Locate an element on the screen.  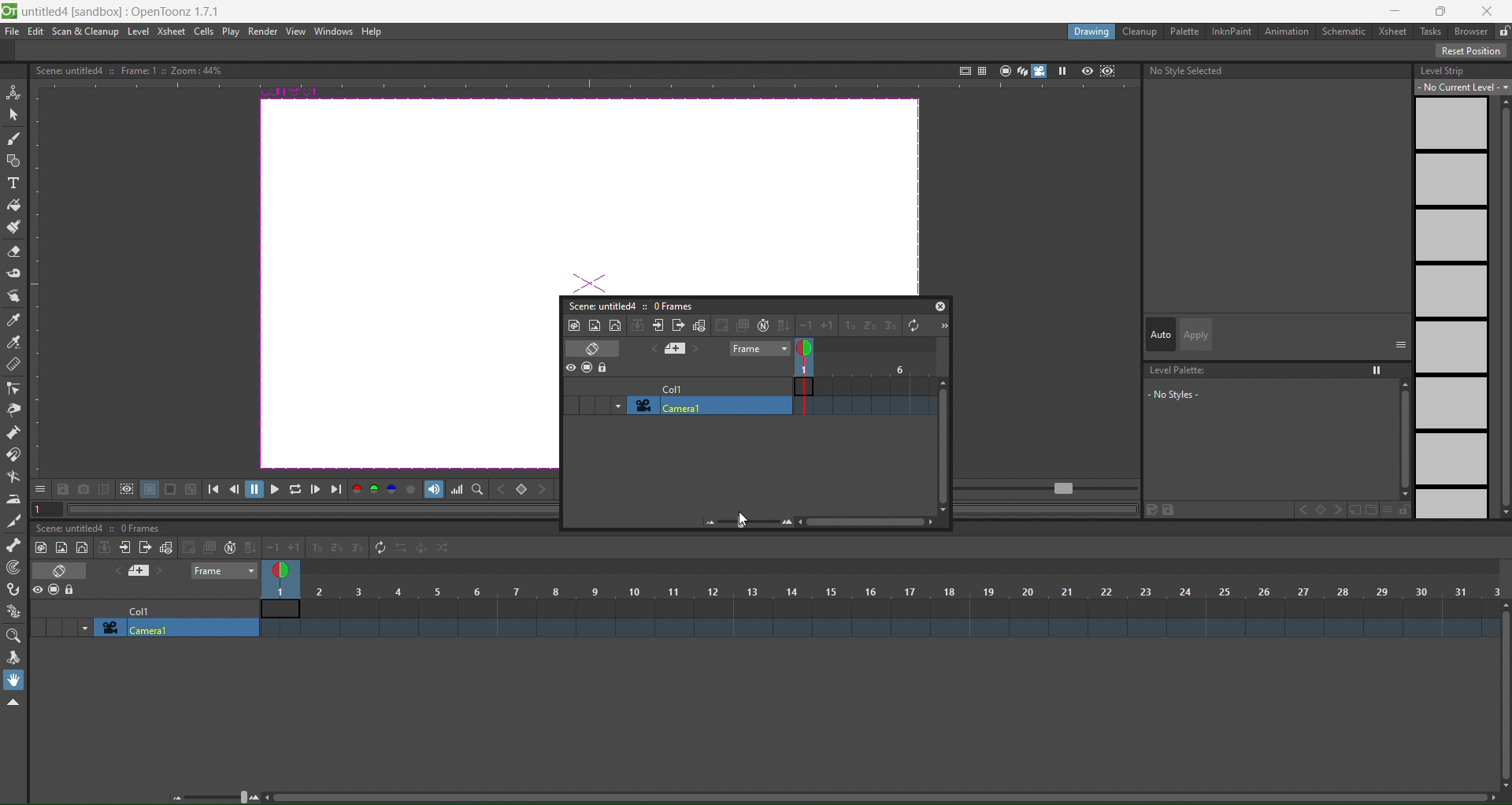
close is located at coordinates (940, 306).